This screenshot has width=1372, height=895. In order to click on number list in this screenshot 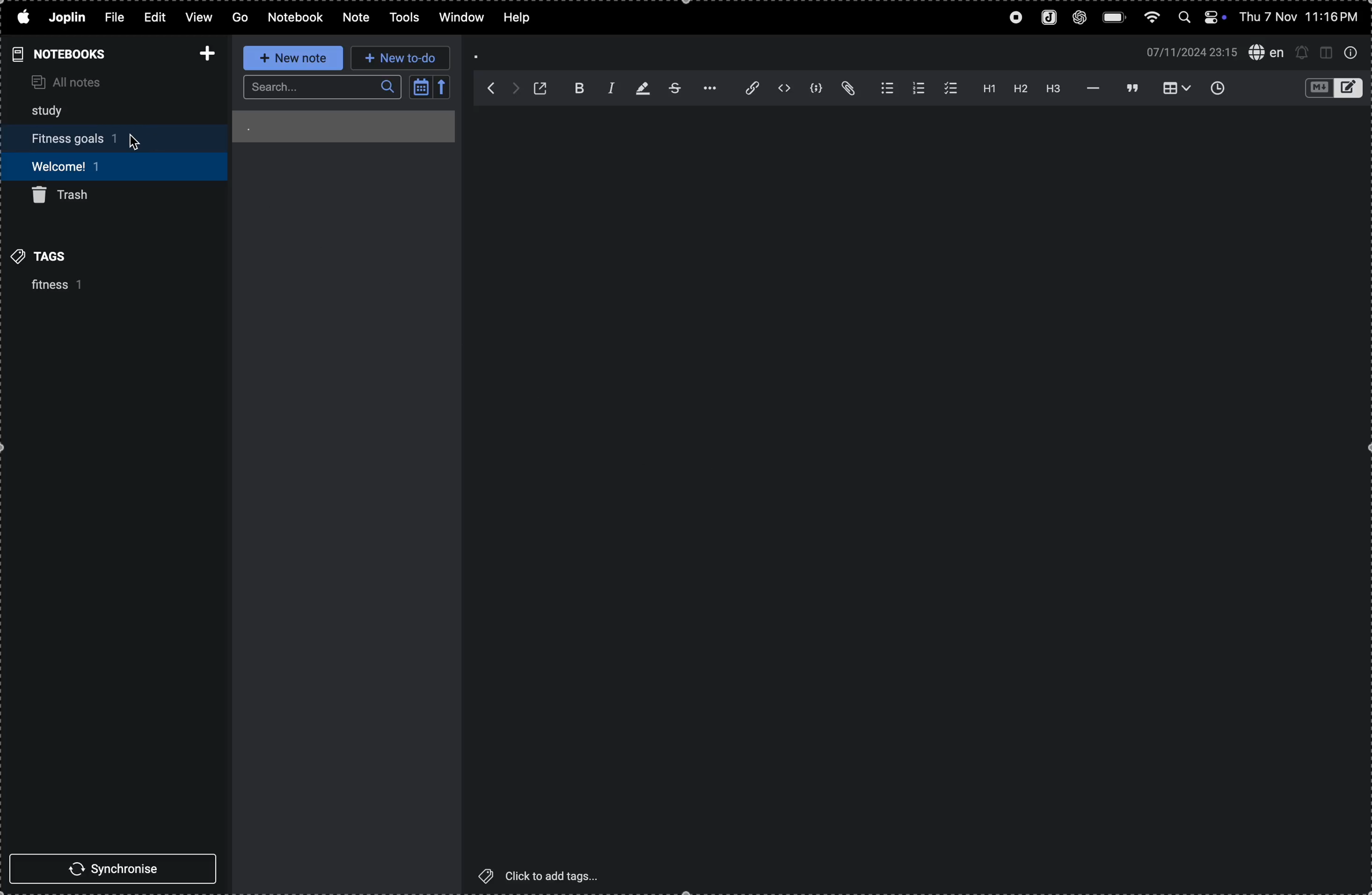, I will do `click(916, 88)`.